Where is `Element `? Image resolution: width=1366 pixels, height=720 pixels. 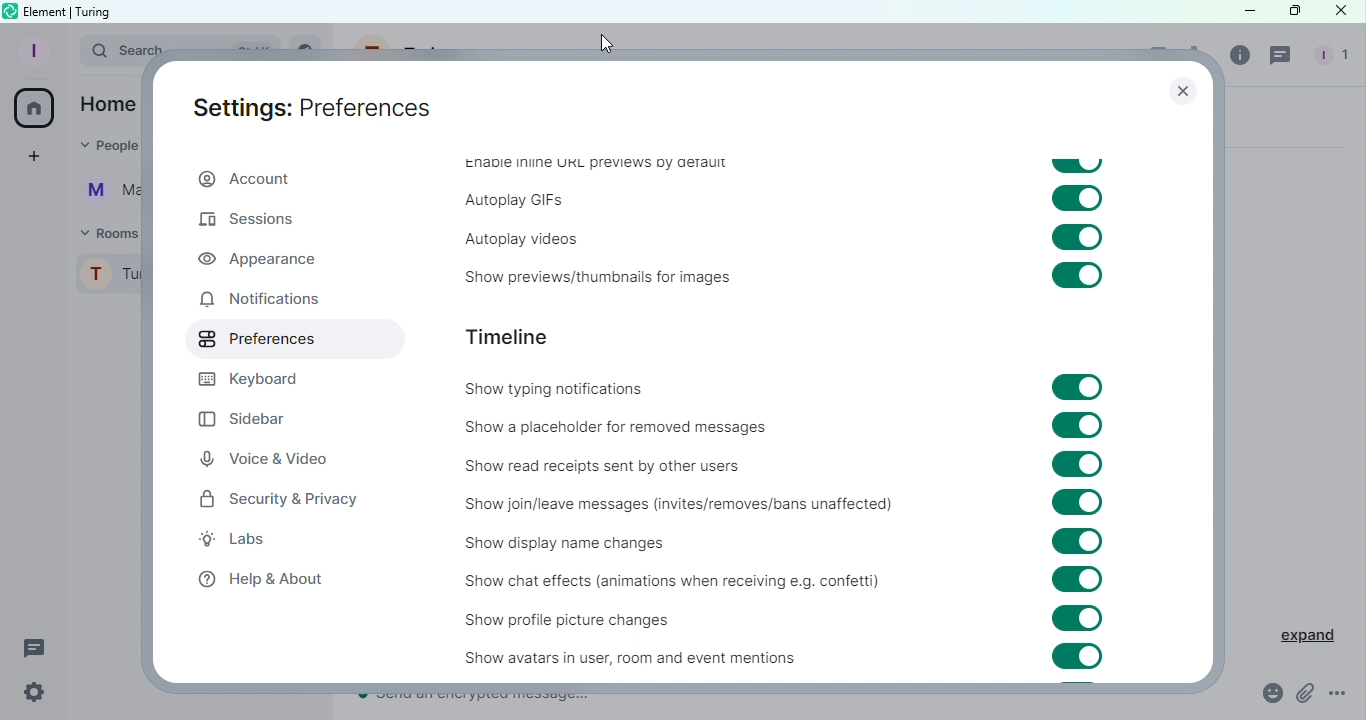 Element  is located at coordinates (47, 10).